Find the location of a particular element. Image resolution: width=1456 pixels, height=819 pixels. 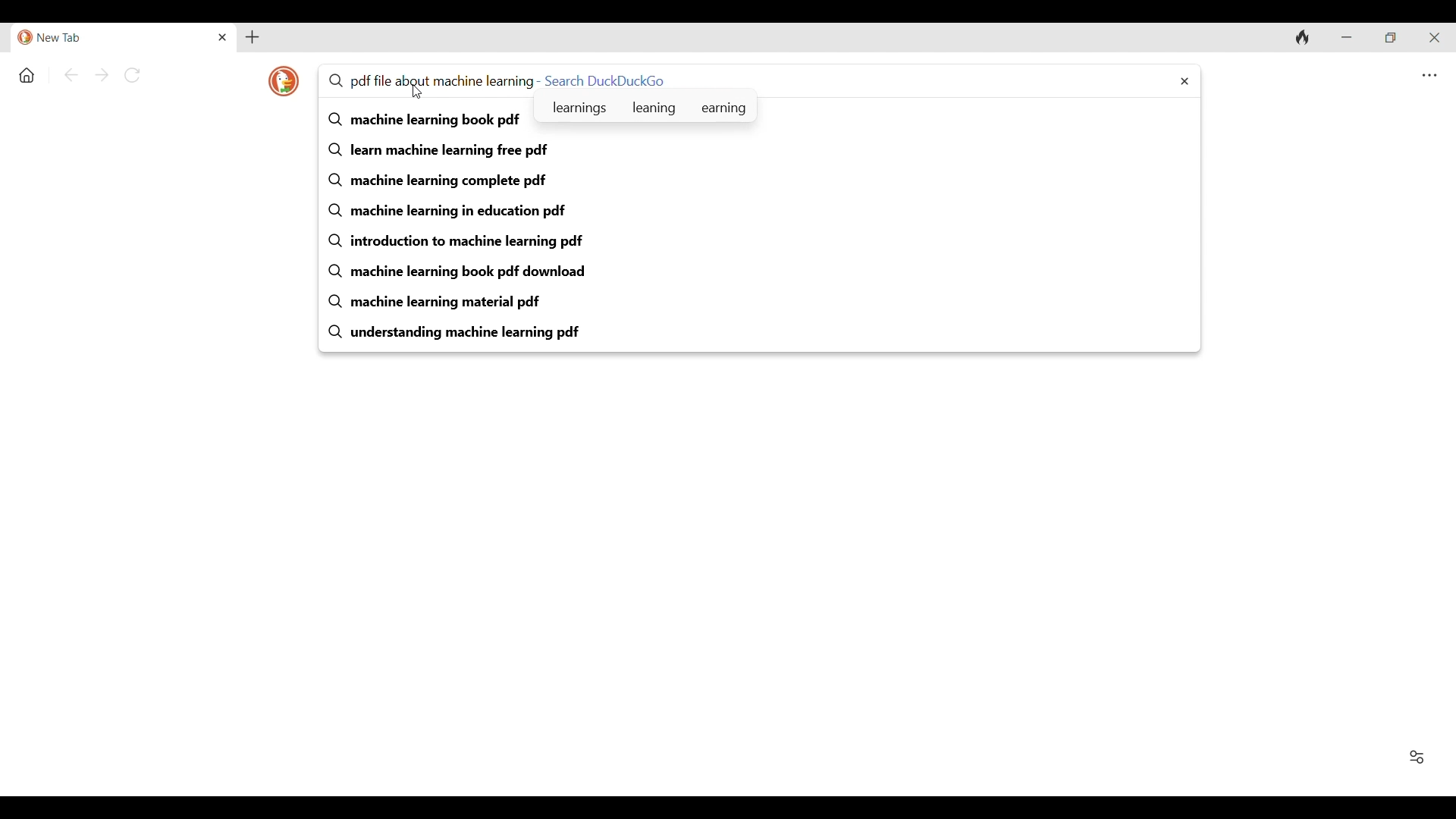

leaning is located at coordinates (654, 105).